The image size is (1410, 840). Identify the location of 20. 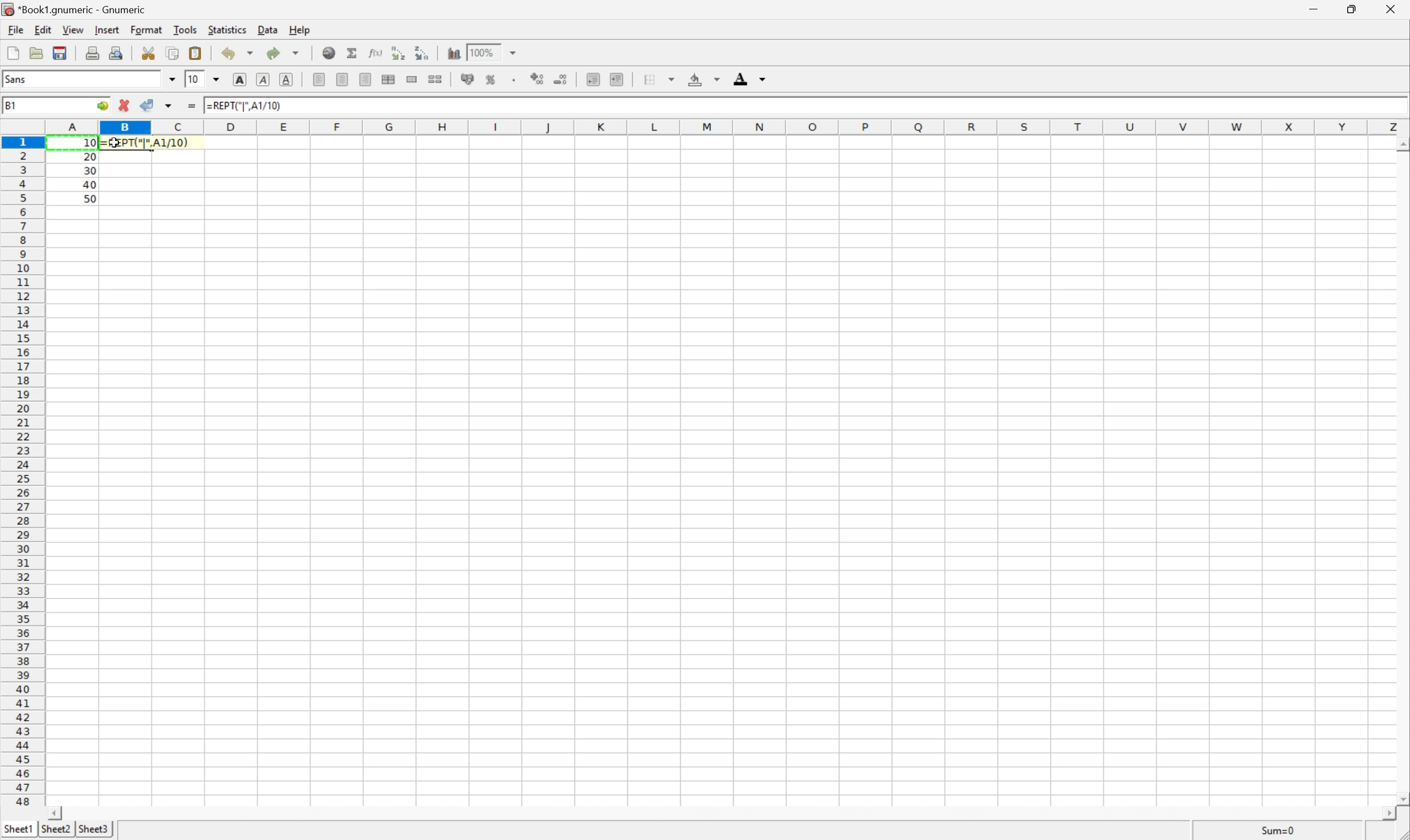
(90, 157).